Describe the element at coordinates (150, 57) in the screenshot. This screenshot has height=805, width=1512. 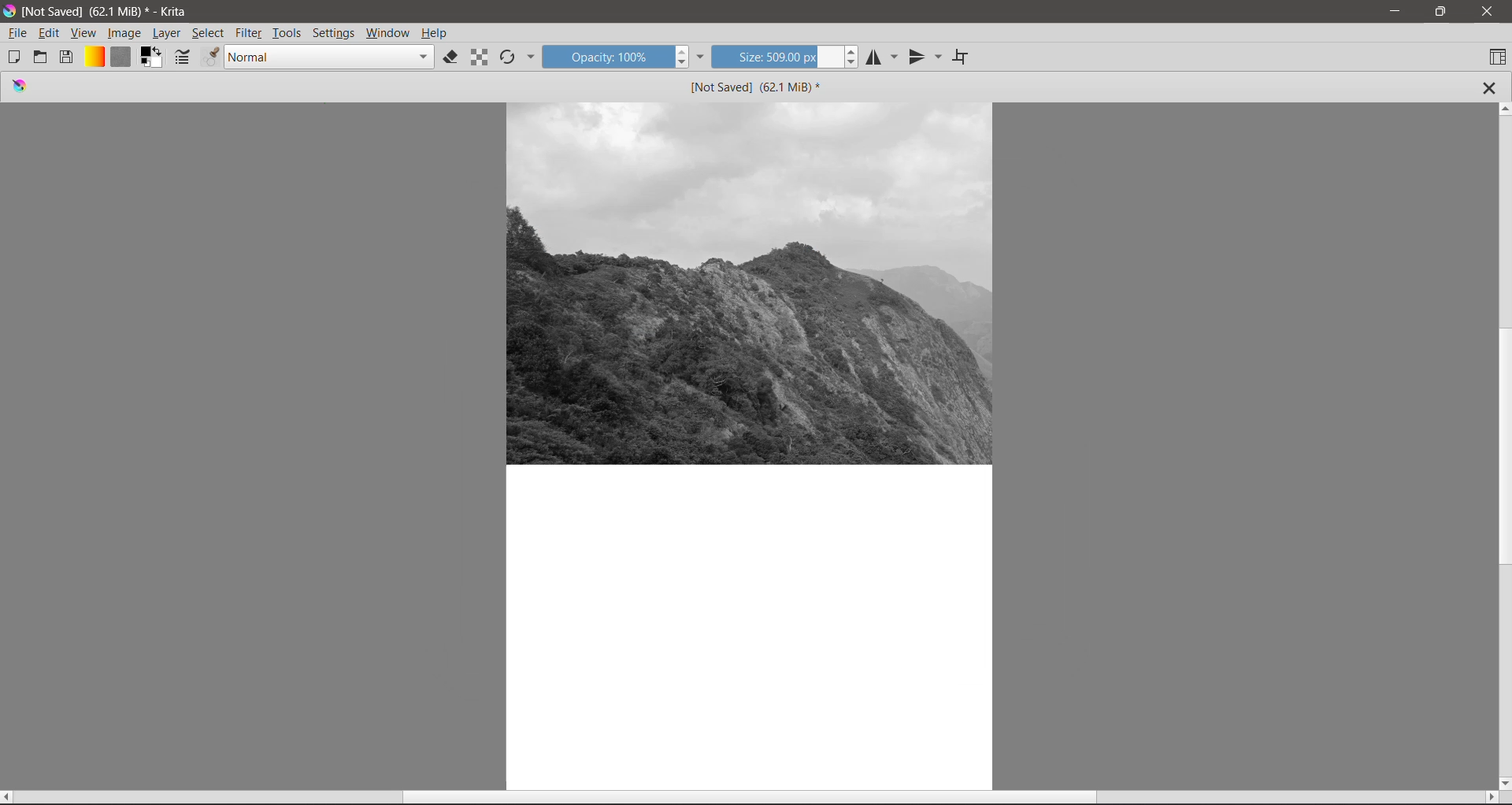
I see `Set the background and foreground colro selector` at that location.